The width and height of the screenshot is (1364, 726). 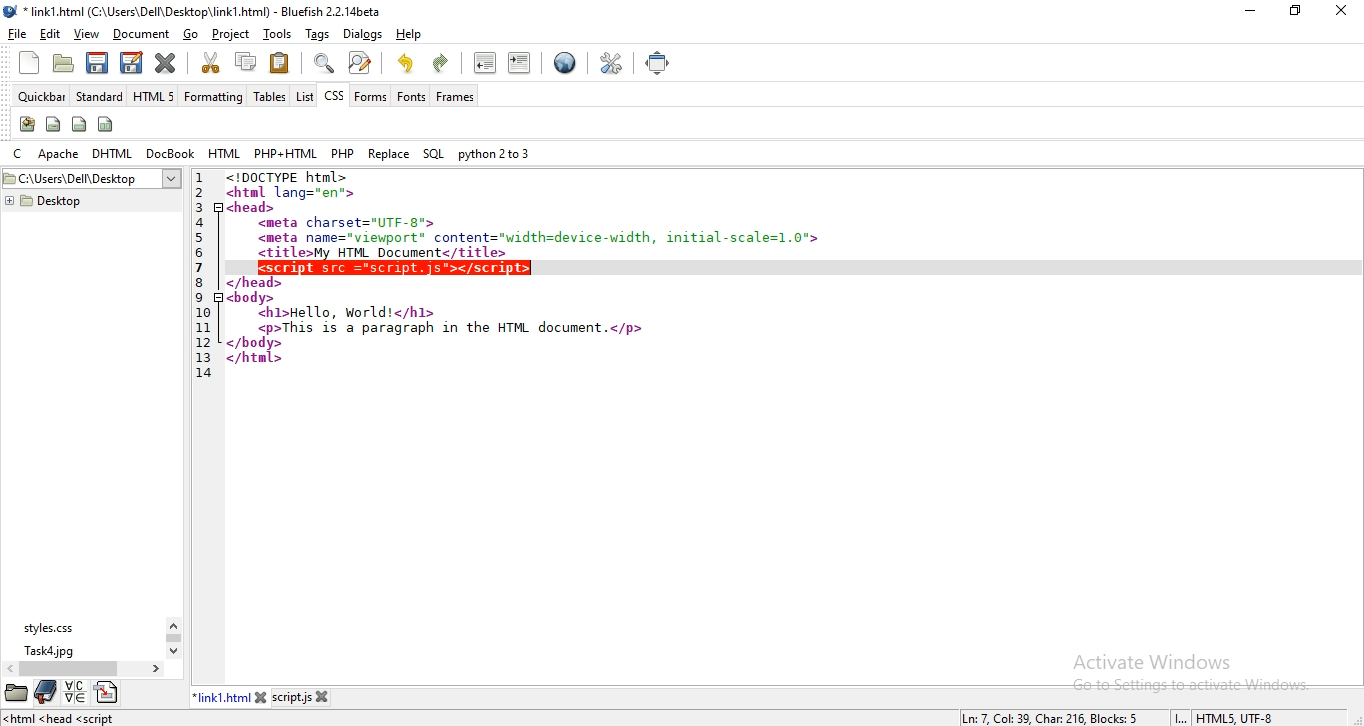 What do you see at coordinates (173, 638) in the screenshot?
I see `scroll bar` at bounding box center [173, 638].